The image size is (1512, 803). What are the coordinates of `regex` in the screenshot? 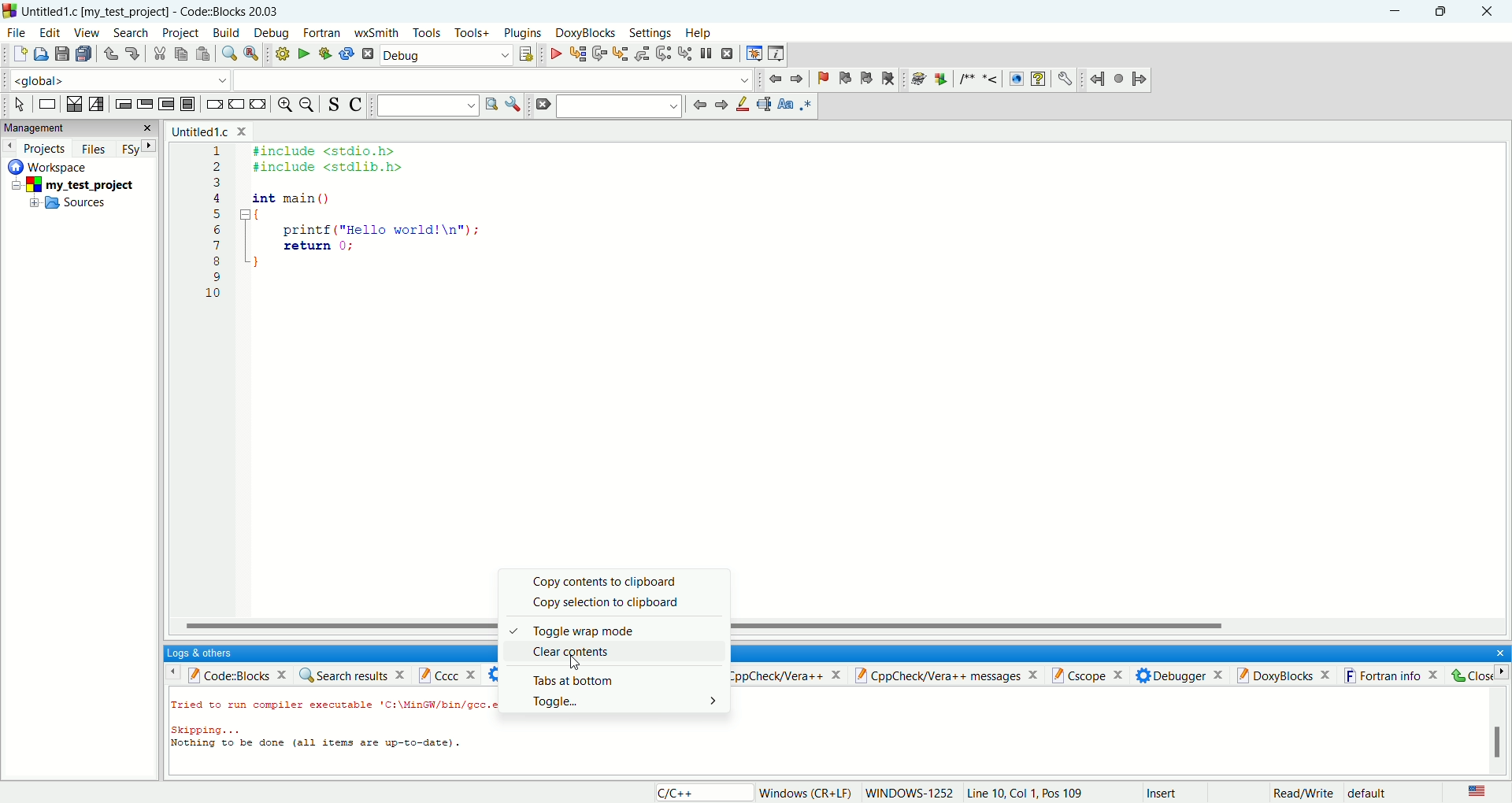 It's located at (807, 104).